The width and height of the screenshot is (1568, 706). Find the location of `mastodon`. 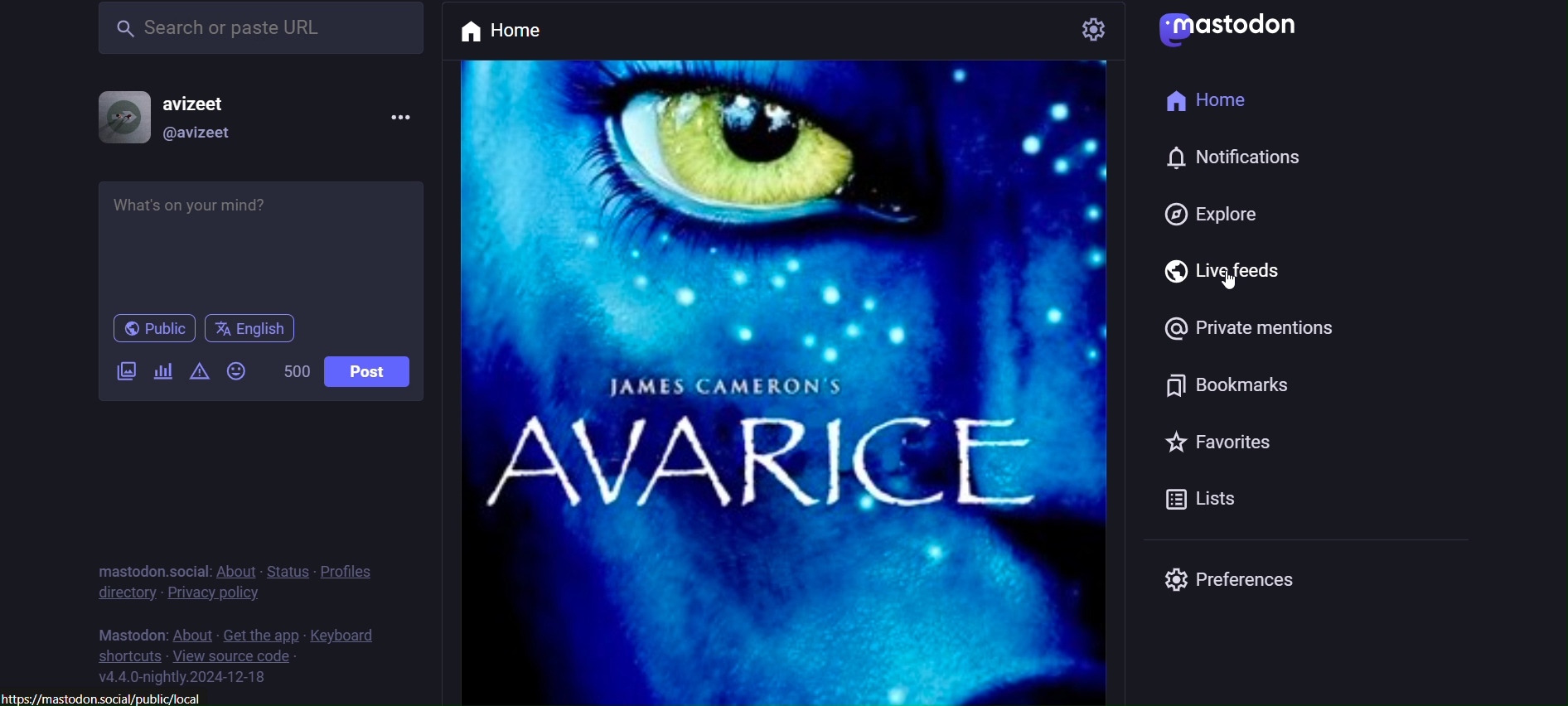

mastodon is located at coordinates (1227, 30).